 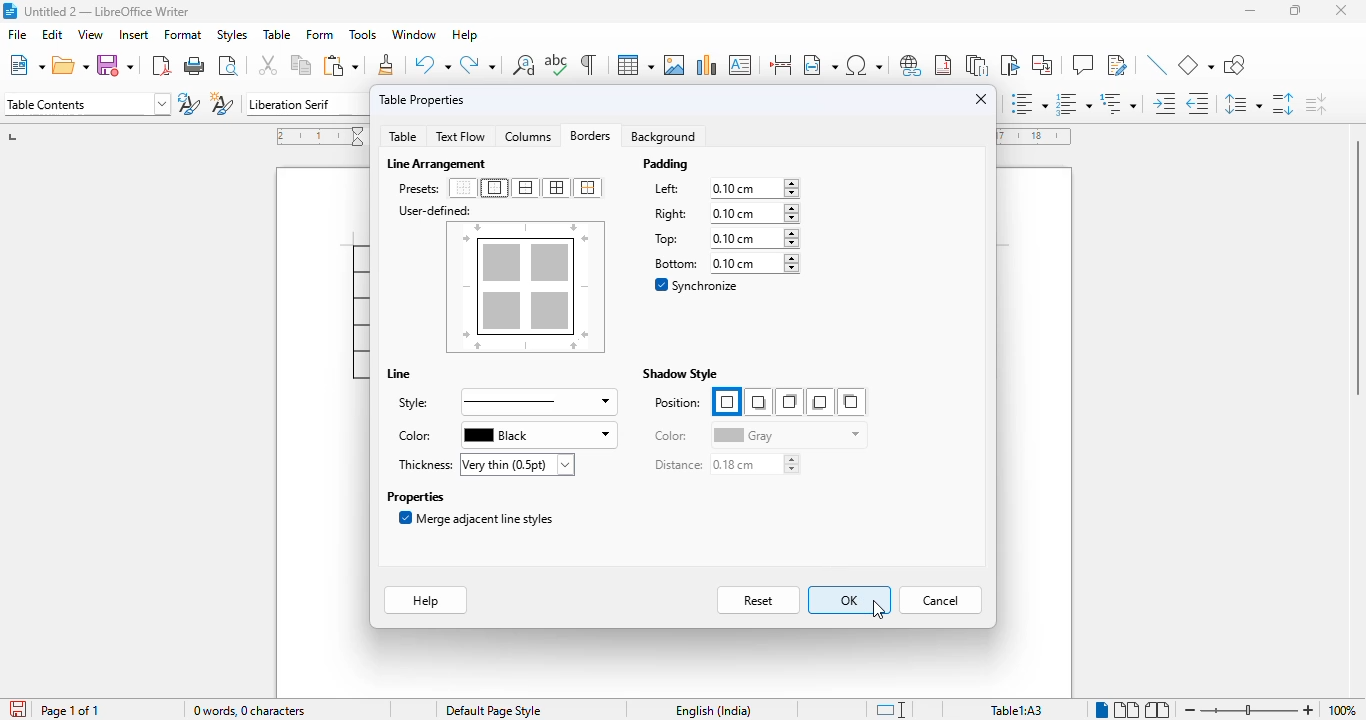 I want to click on toggle formatting marks, so click(x=588, y=64).